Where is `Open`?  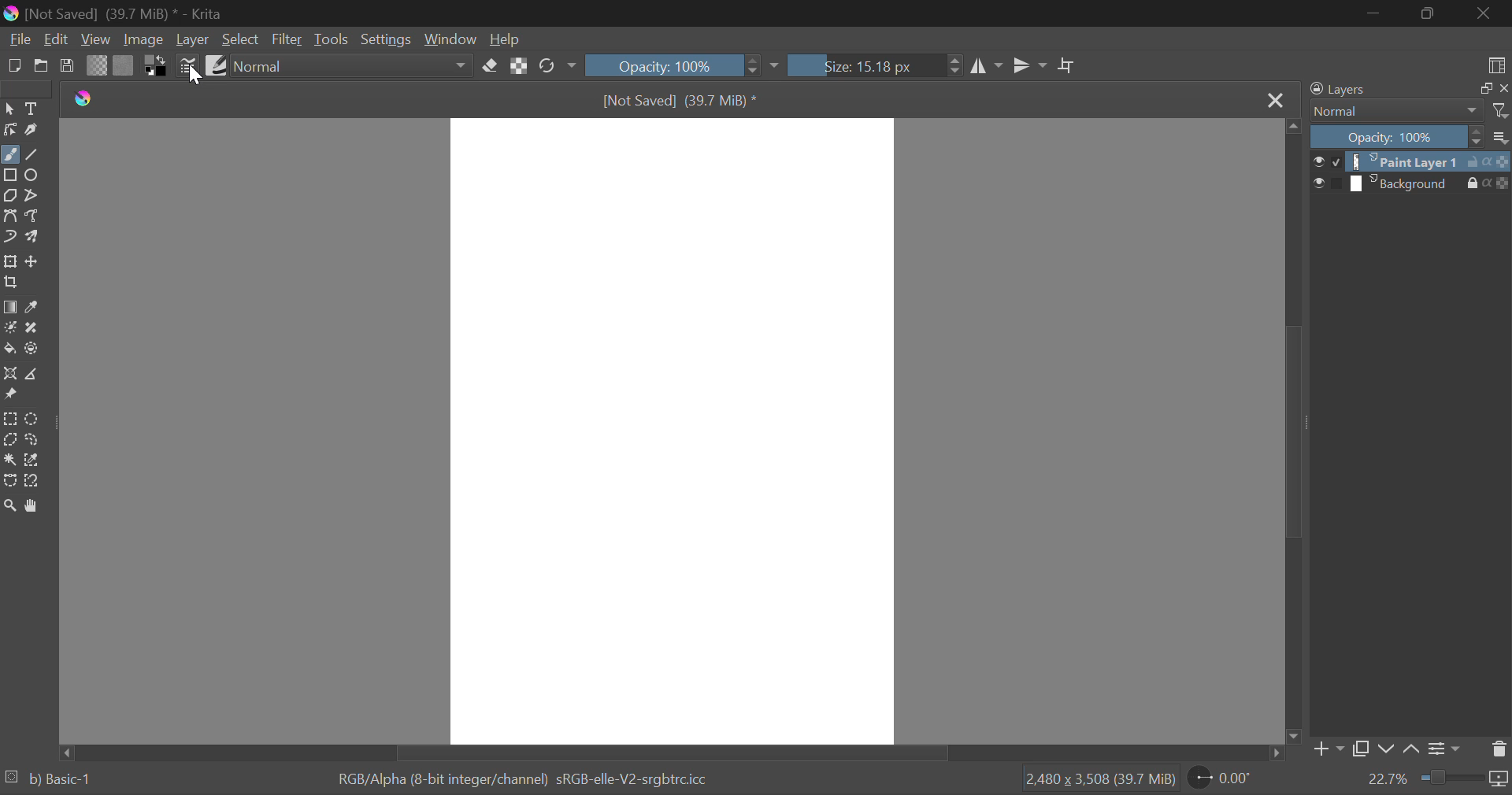
Open is located at coordinates (42, 65).